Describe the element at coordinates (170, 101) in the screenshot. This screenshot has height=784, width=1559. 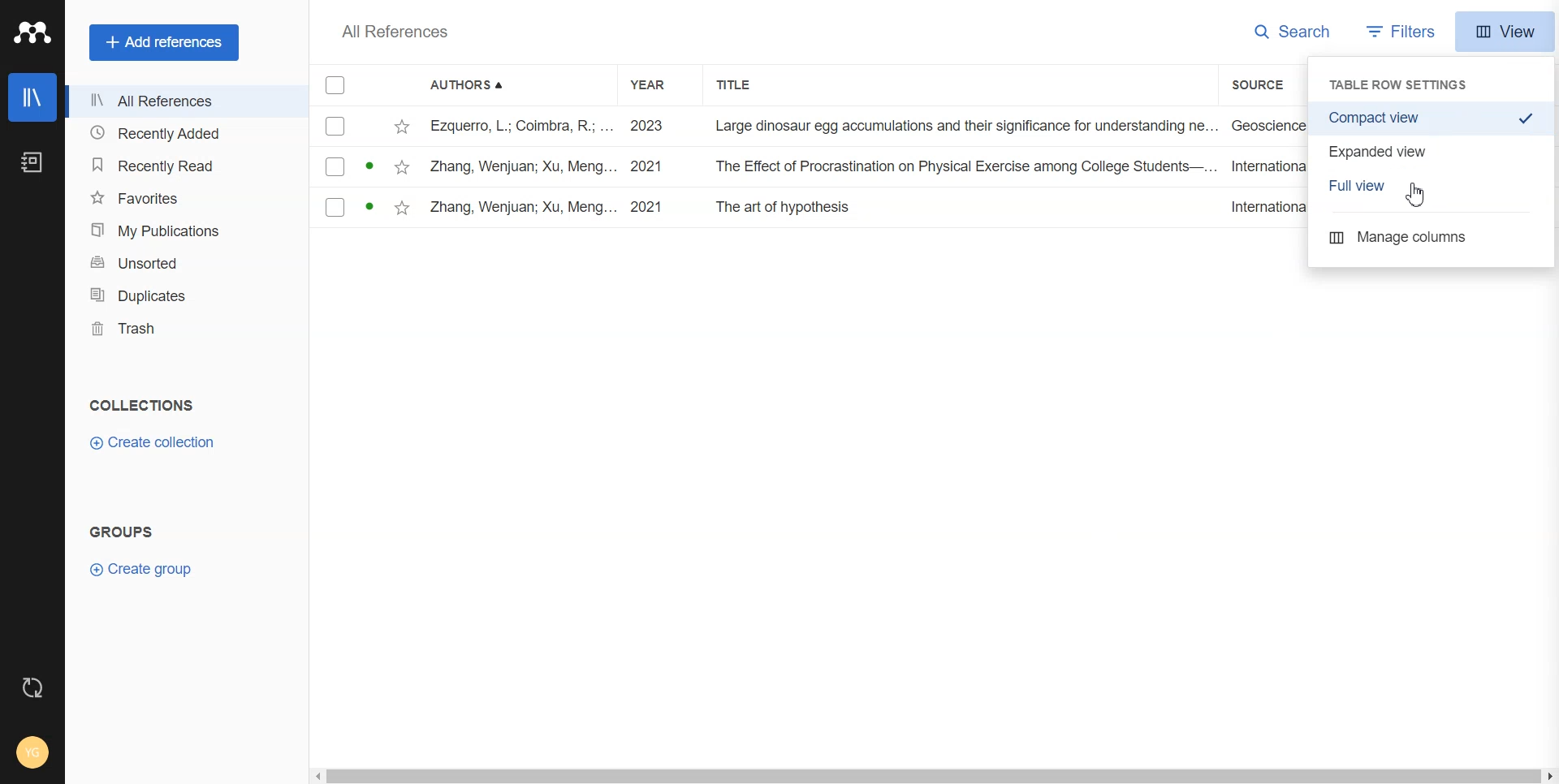
I see `All references` at that location.